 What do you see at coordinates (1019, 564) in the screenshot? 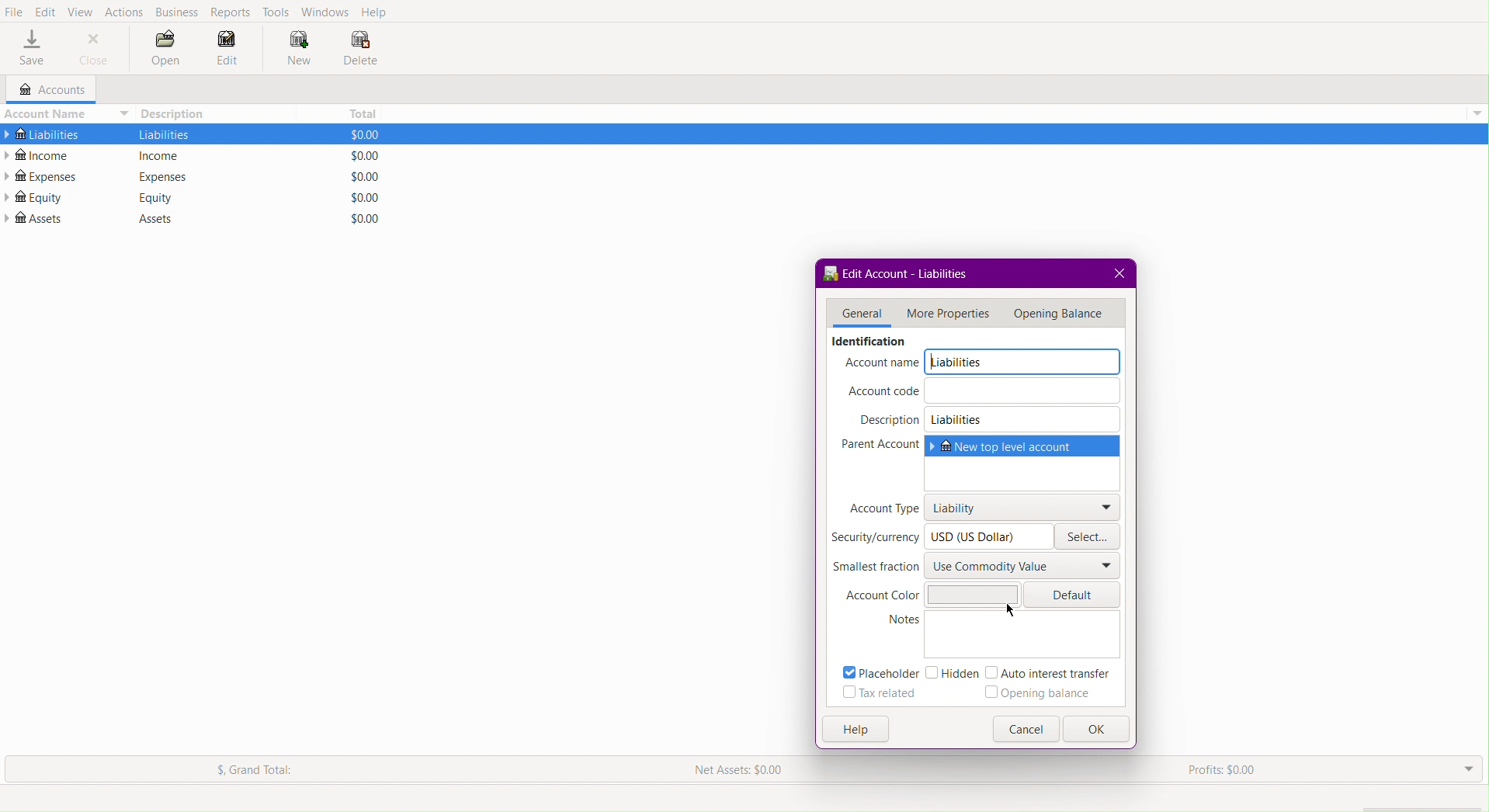
I see `Use Commodity Value` at bounding box center [1019, 564].